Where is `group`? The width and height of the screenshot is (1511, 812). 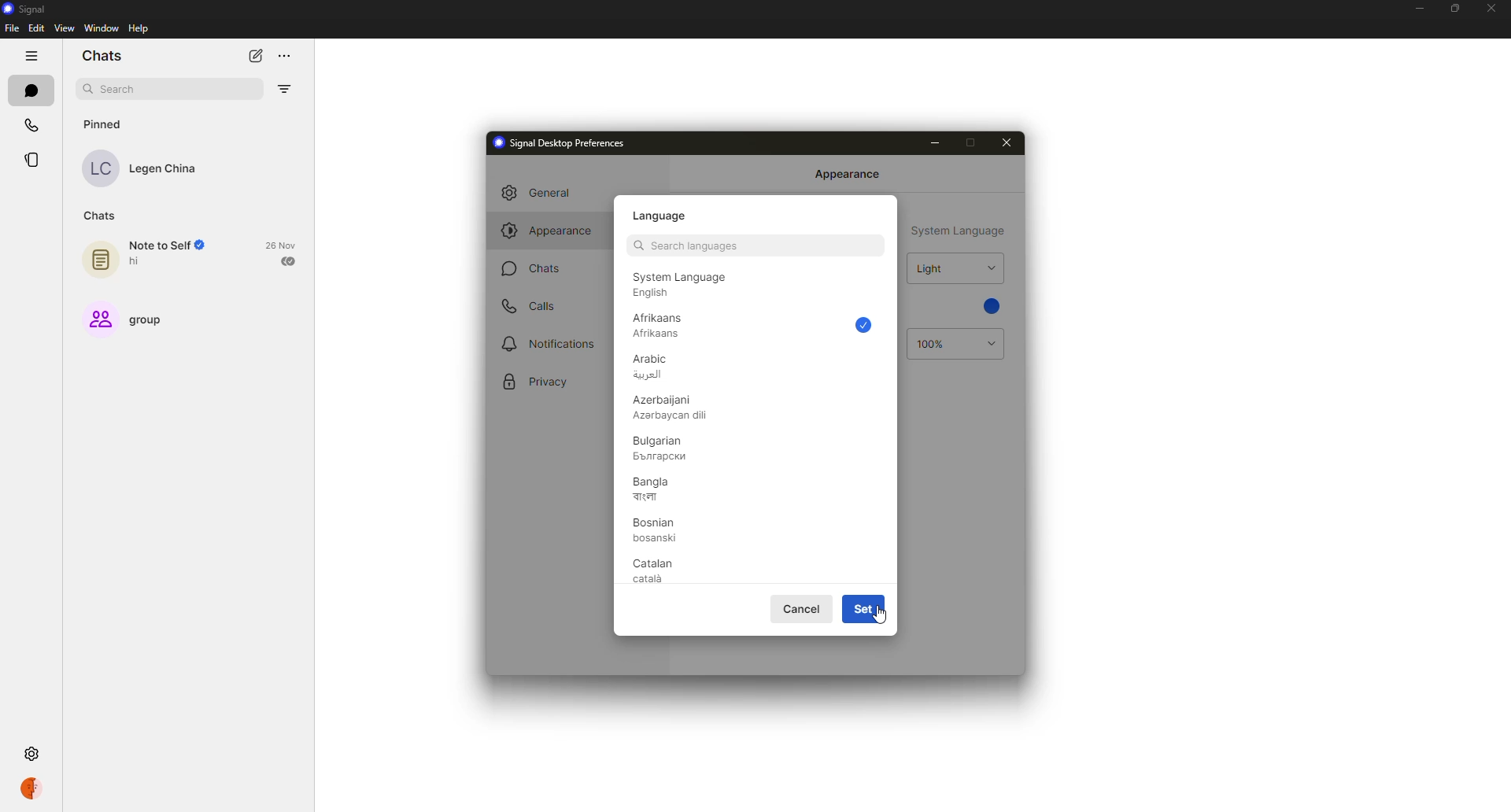 group is located at coordinates (125, 318).